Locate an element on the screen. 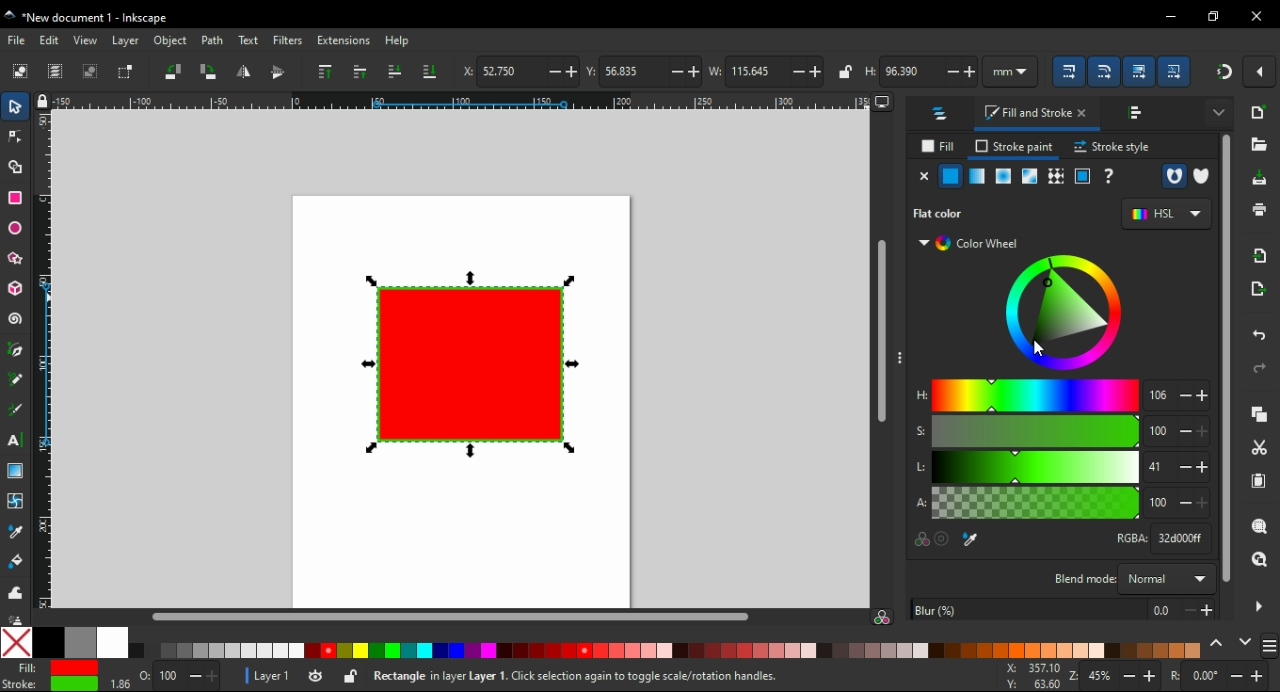 Image resolution: width=1280 pixels, height=692 pixels. none is located at coordinates (924, 176).